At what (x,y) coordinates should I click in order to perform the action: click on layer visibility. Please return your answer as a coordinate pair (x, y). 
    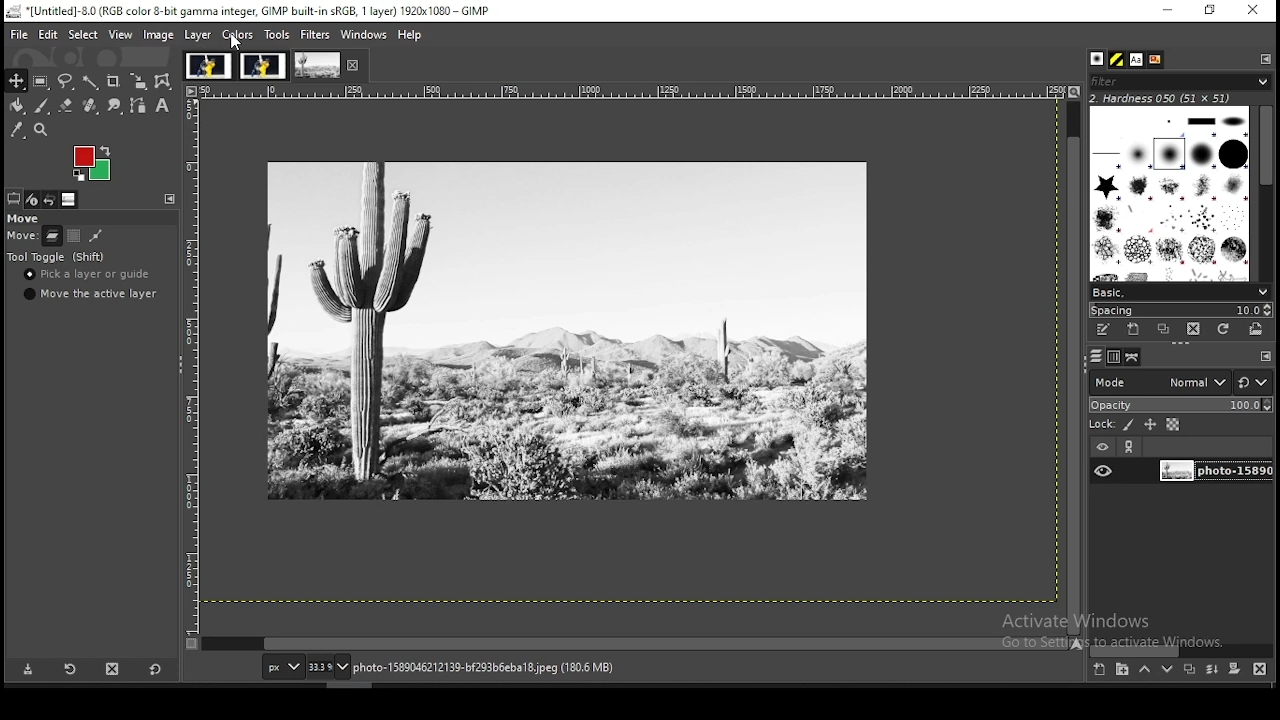
    Looking at the image, I should click on (1101, 448).